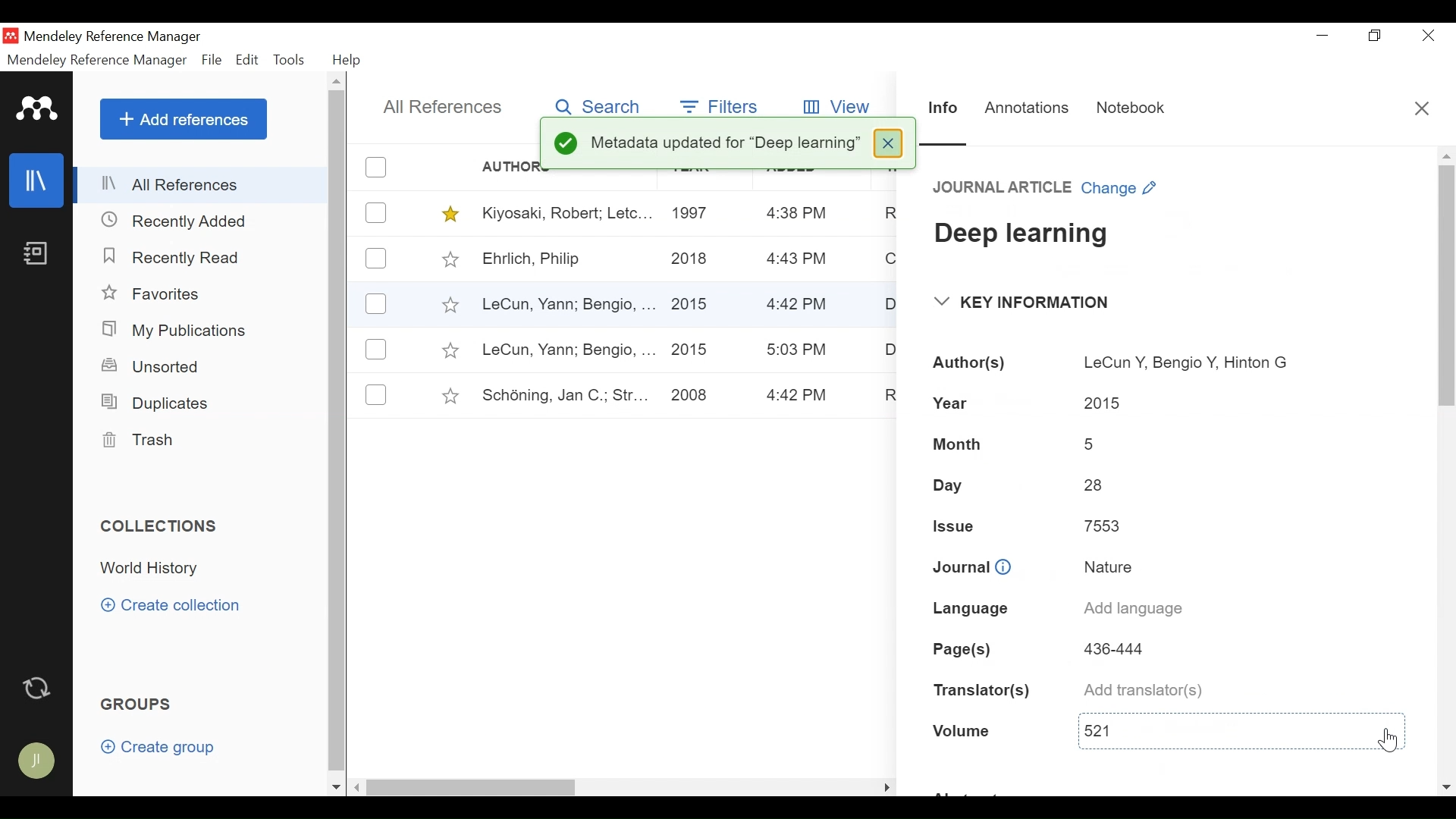 This screenshot has width=1456, height=819. I want to click on Tools, so click(293, 60).